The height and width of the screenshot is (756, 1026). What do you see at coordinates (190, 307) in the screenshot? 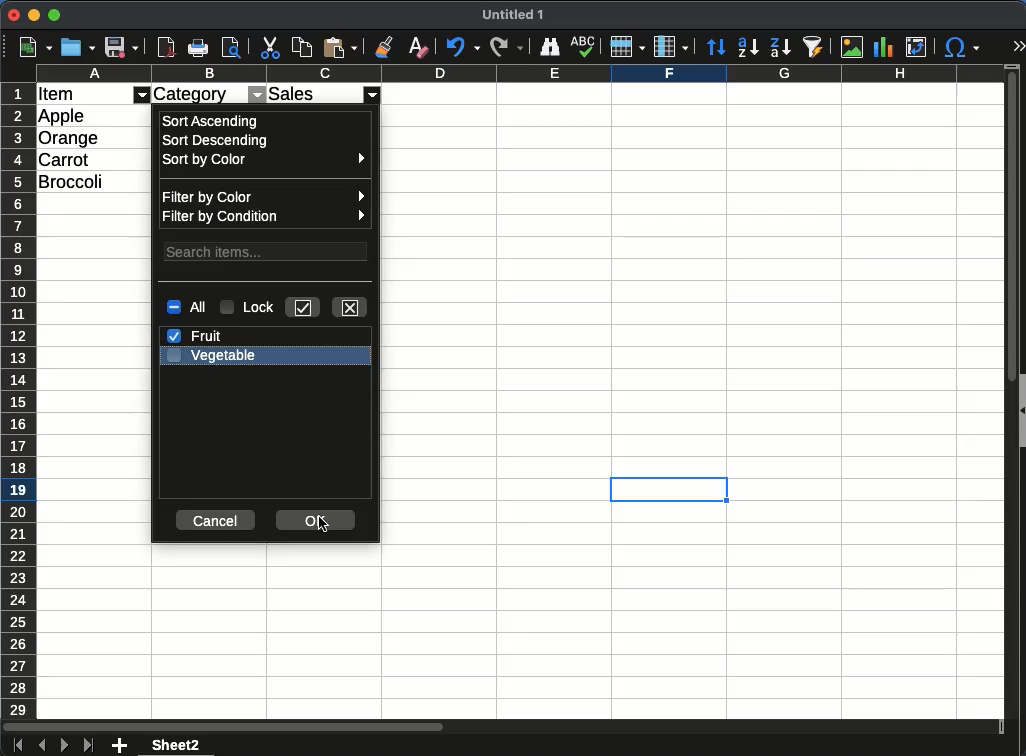
I see `all` at bounding box center [190, 307].